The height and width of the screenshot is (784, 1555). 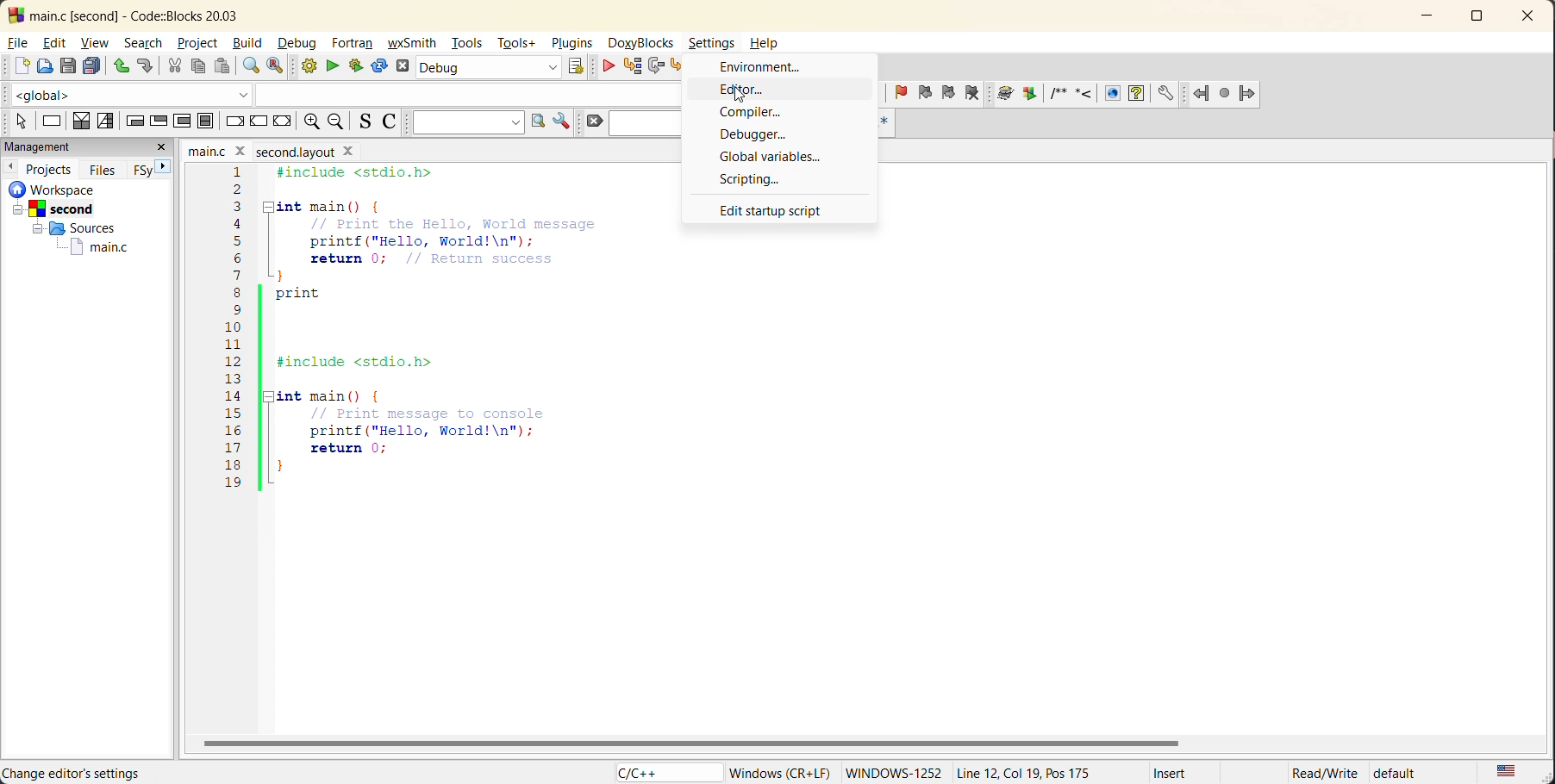 What do you see at coordinates (118, 65) in the screenshot?
I see `undo` at bounding box center [118, 65].